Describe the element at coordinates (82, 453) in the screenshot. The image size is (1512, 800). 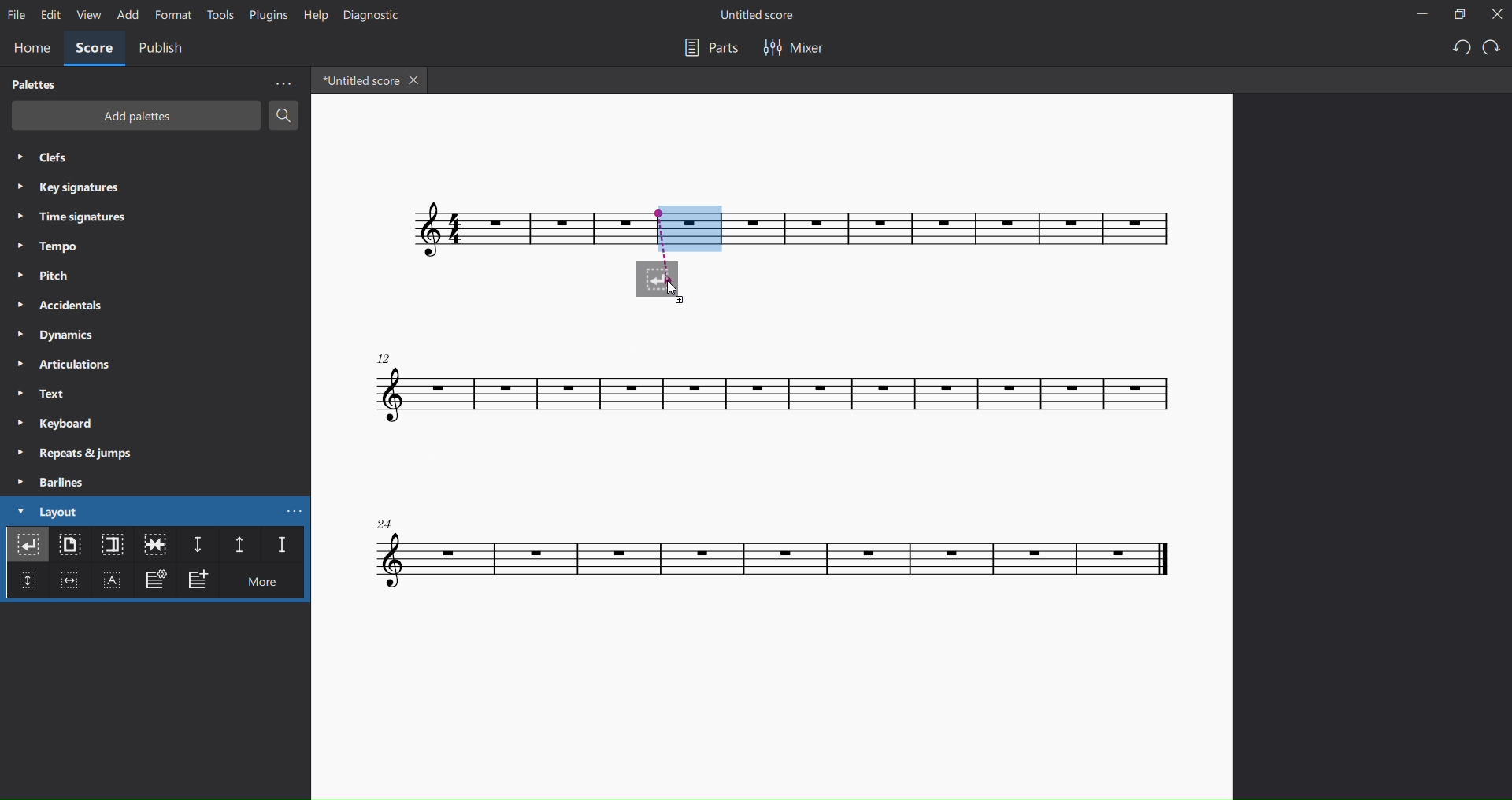
I see `repeats and jumps` at that location.